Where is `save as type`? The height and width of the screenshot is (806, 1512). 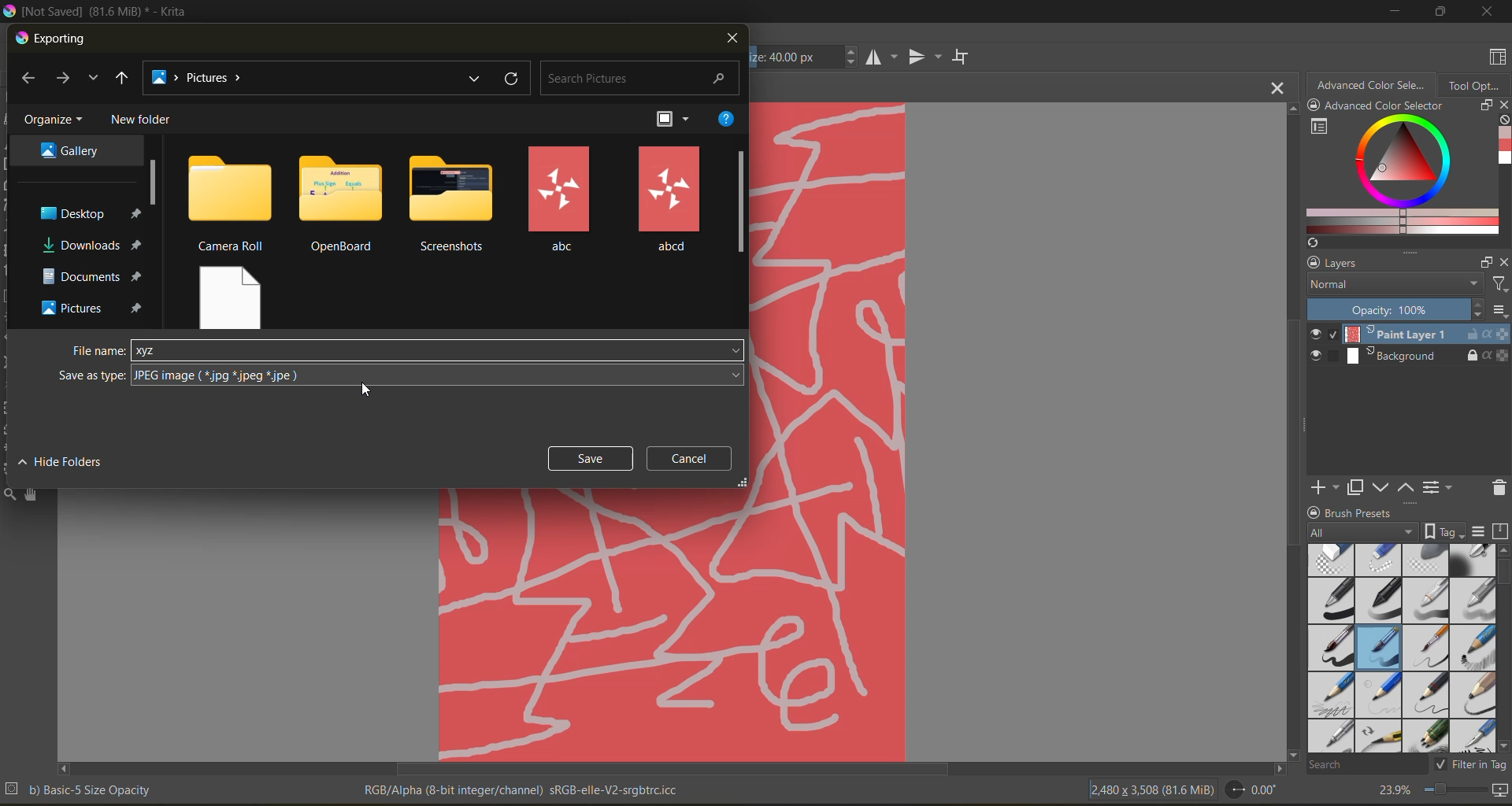 save as type is located at coordinates (91, 376).